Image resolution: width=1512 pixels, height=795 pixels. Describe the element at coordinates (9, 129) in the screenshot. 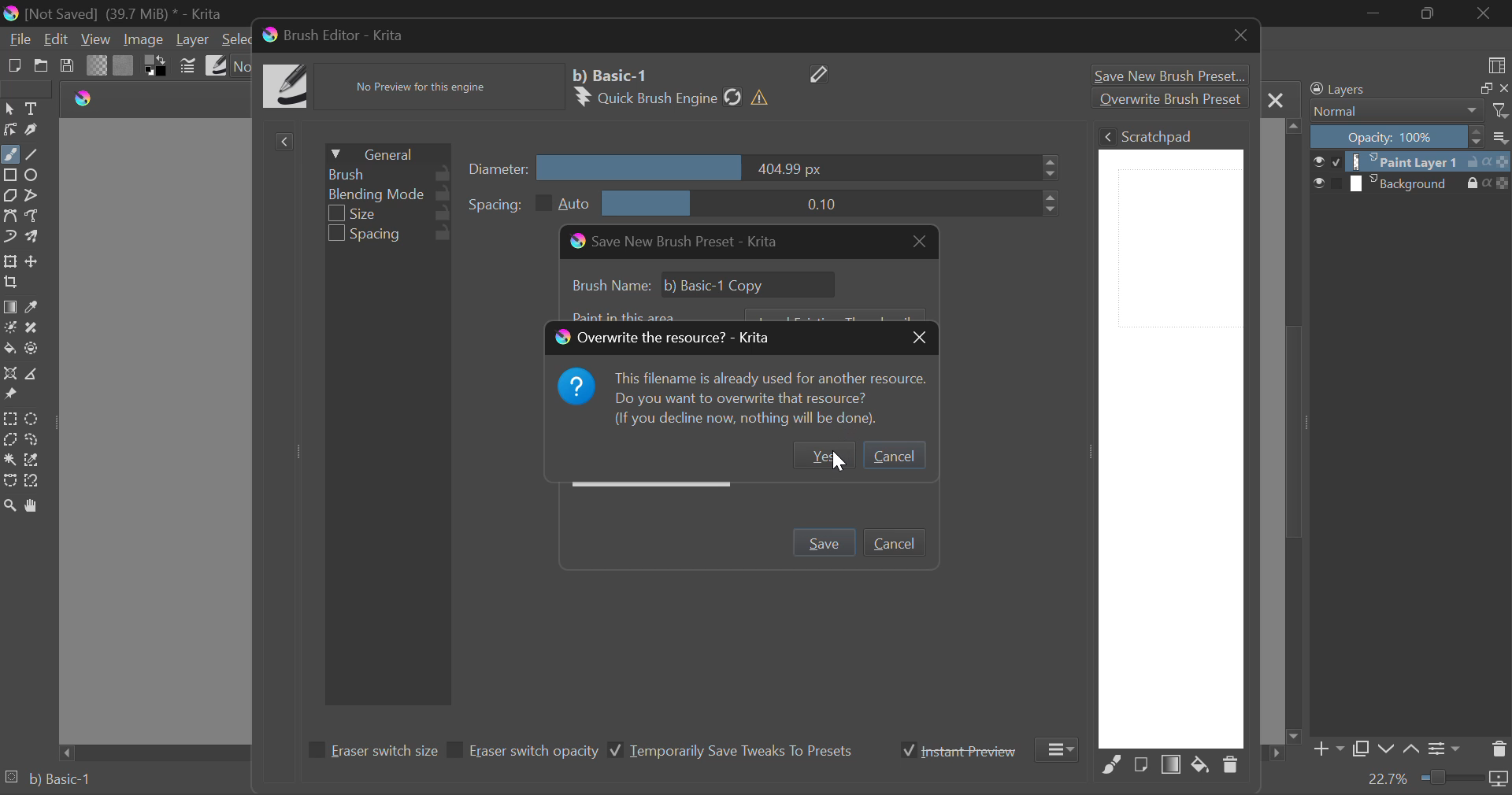

I see `Edit Shapes` at that location.